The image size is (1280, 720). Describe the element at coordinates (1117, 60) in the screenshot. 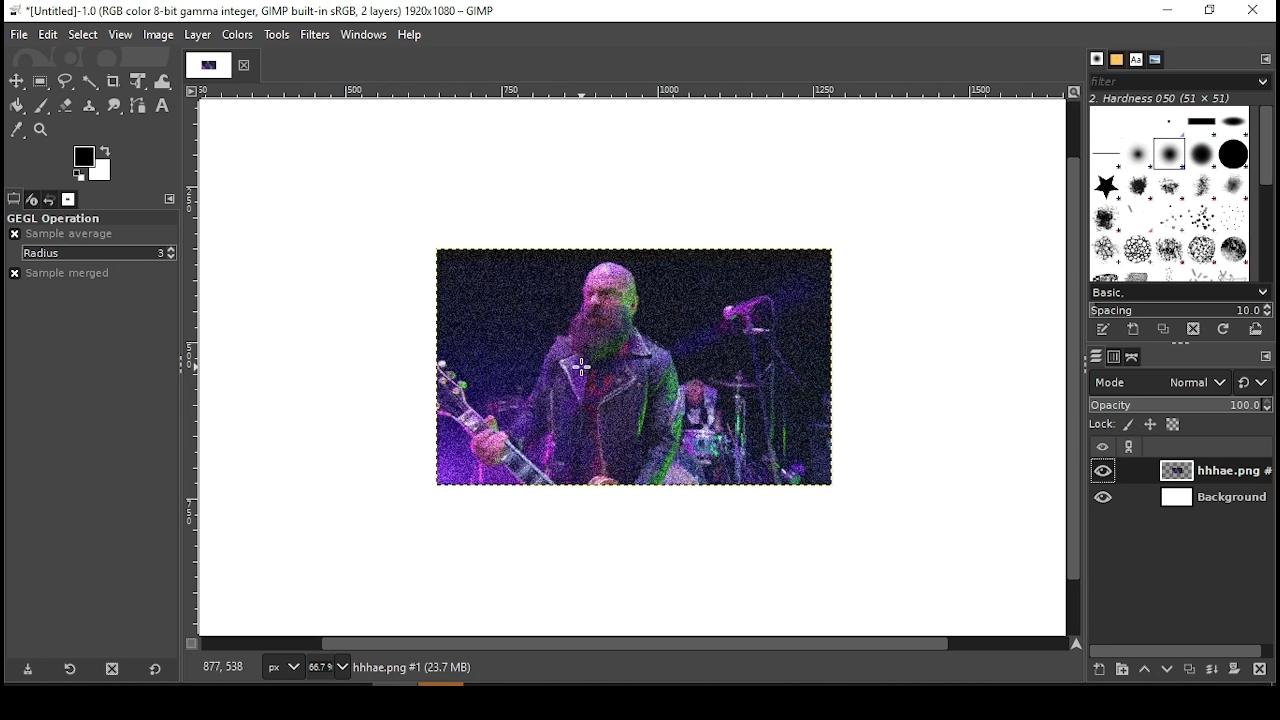

I see `patterns` at that location.